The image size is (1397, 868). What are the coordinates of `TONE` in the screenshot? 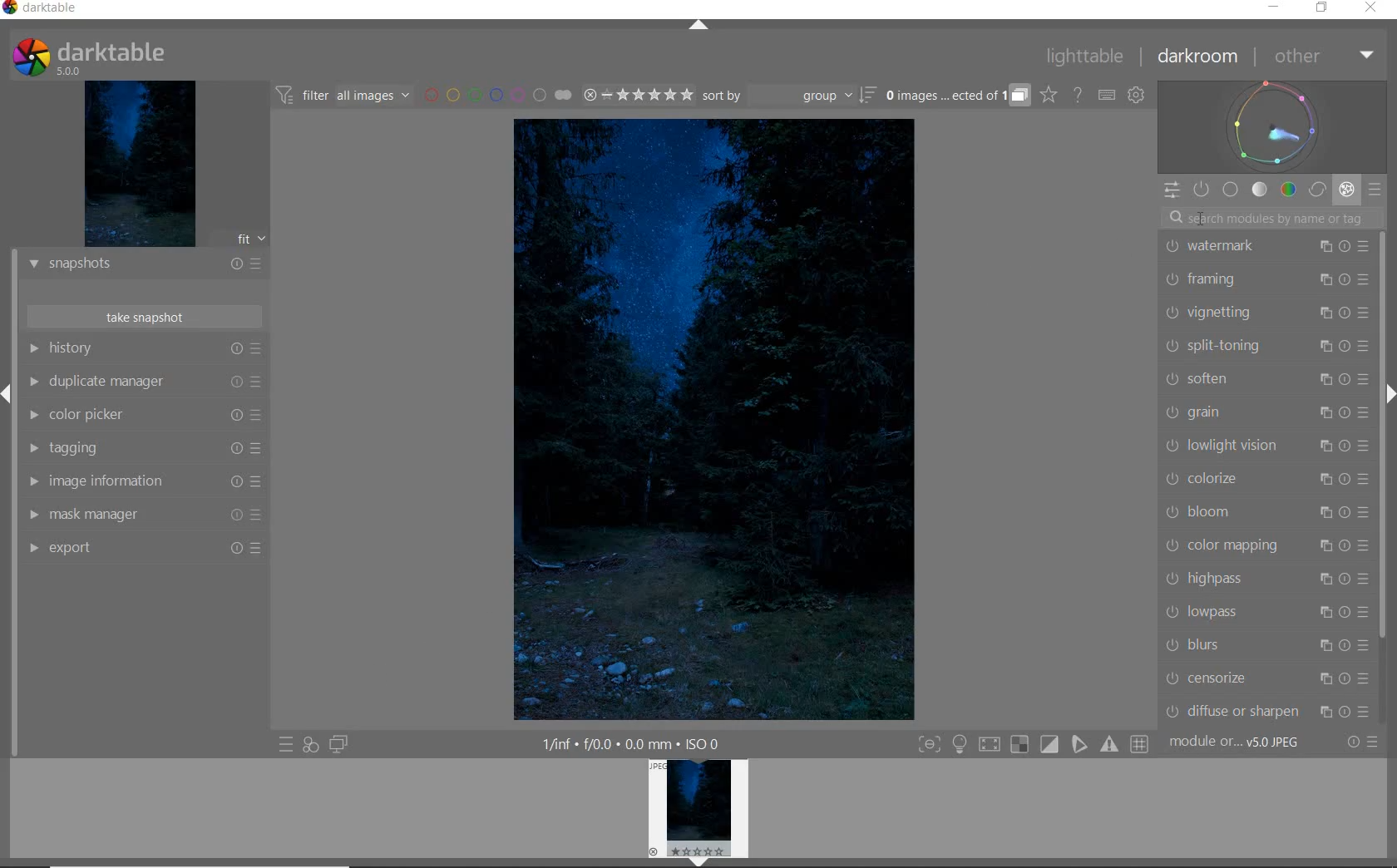 It's located at (1259, 190).